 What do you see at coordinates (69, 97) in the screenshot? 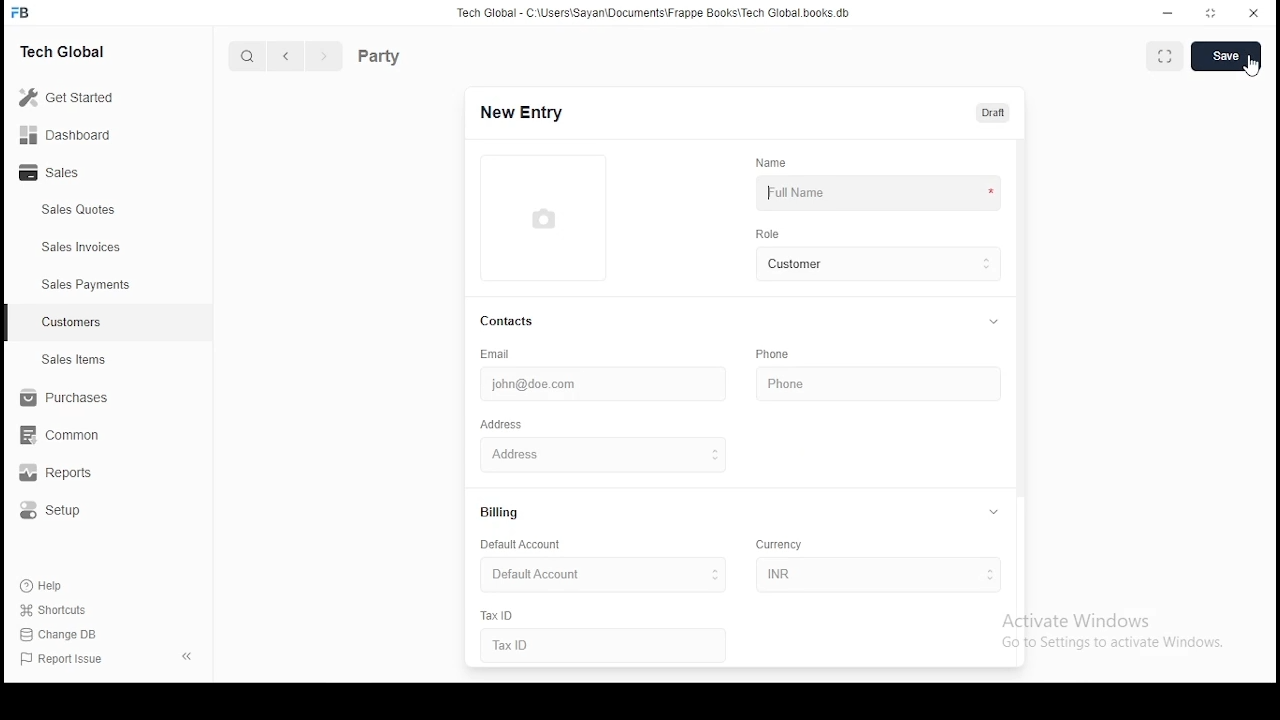
I see `get started` at bounding box center [69, 97].